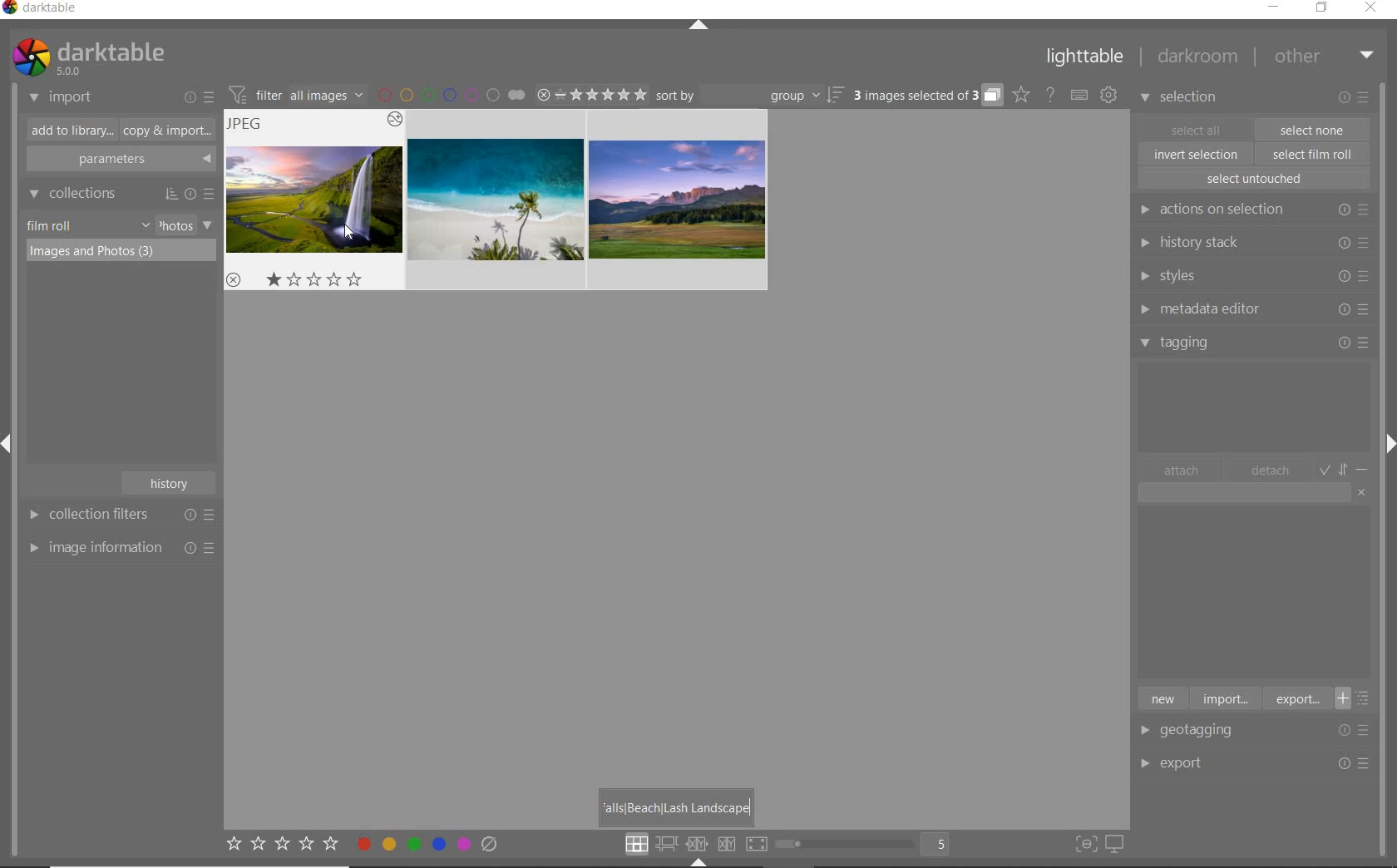 This screenshot has height=868, width=1397. What do you see at coordinates (1198, 59) in the screenshot?
I see `darkroom` at bounding box center [1198, 59].